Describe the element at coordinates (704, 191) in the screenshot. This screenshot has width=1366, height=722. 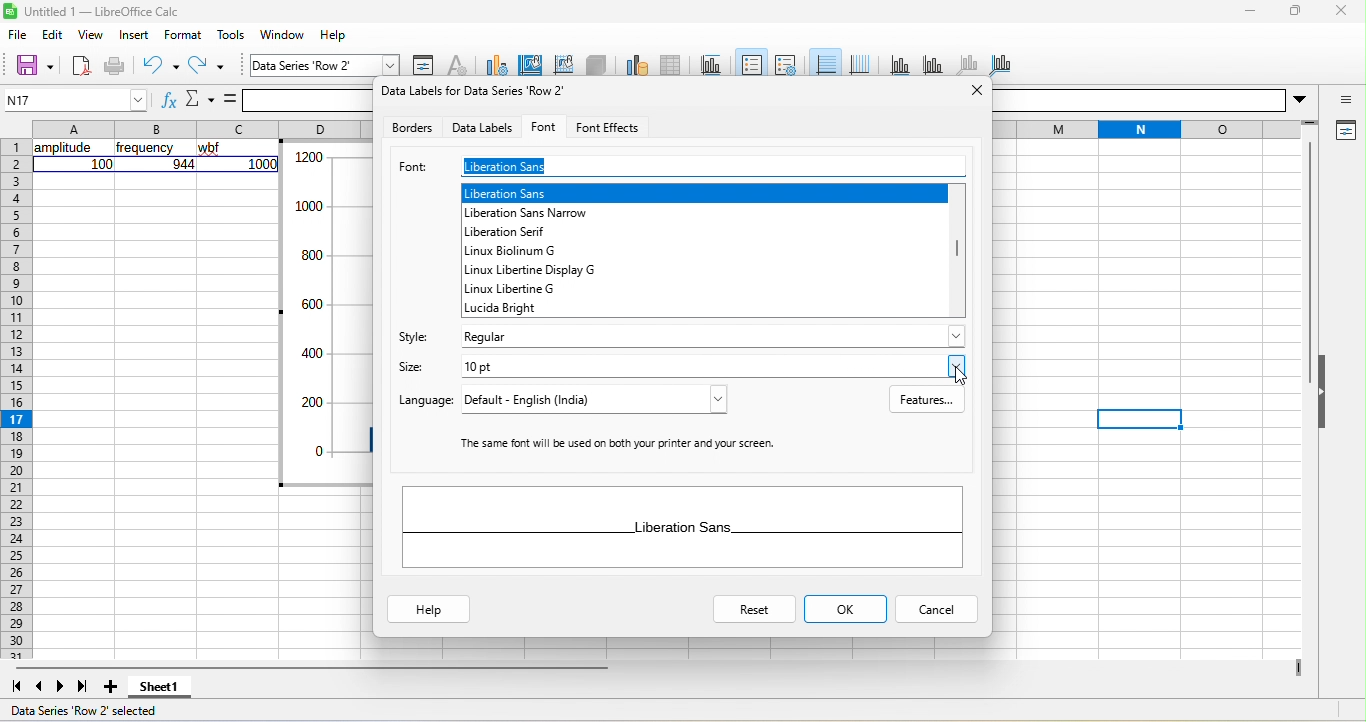
I see `liberation sans` at that location.